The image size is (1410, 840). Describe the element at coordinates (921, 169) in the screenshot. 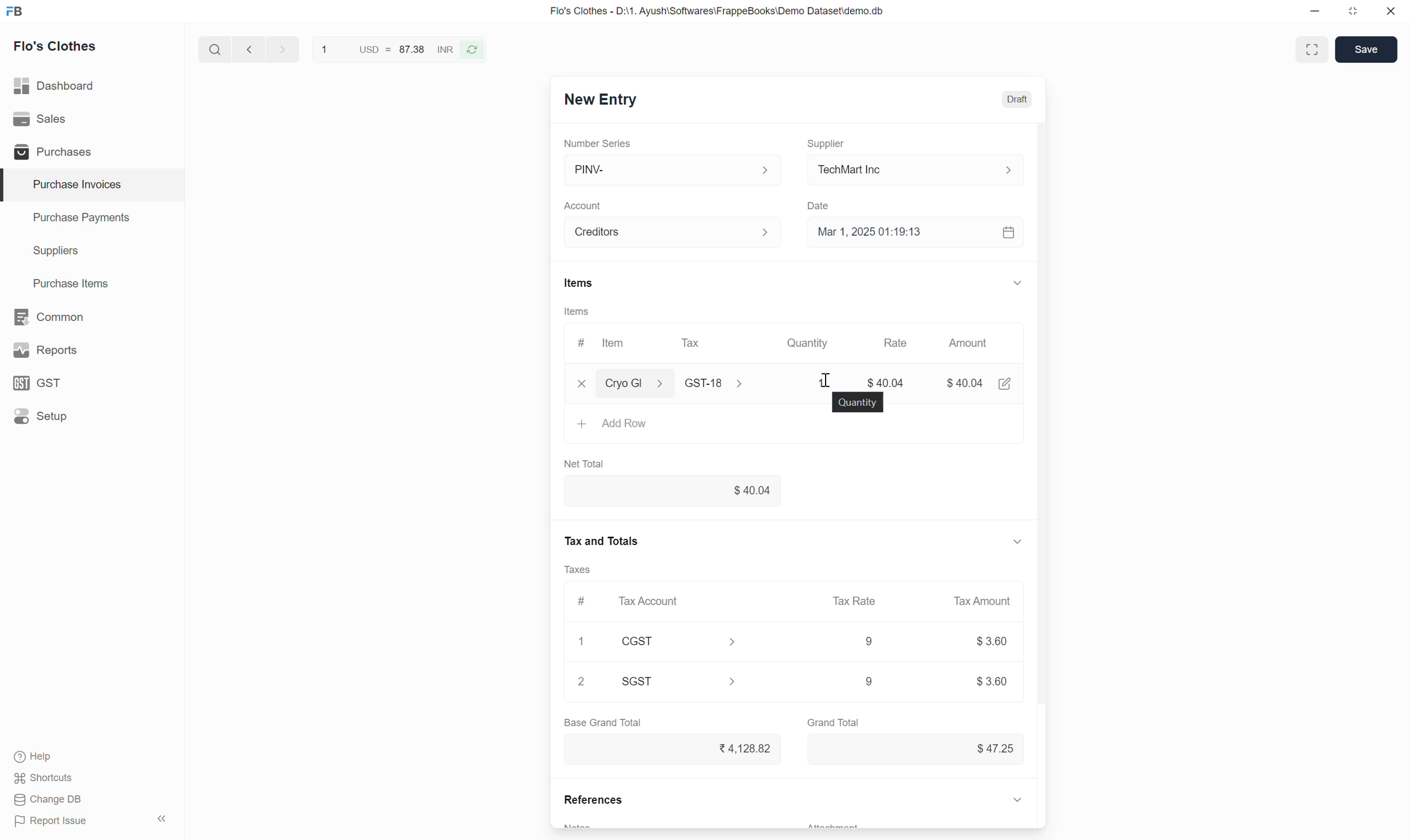

I see `TechMart Inc.` at that location.